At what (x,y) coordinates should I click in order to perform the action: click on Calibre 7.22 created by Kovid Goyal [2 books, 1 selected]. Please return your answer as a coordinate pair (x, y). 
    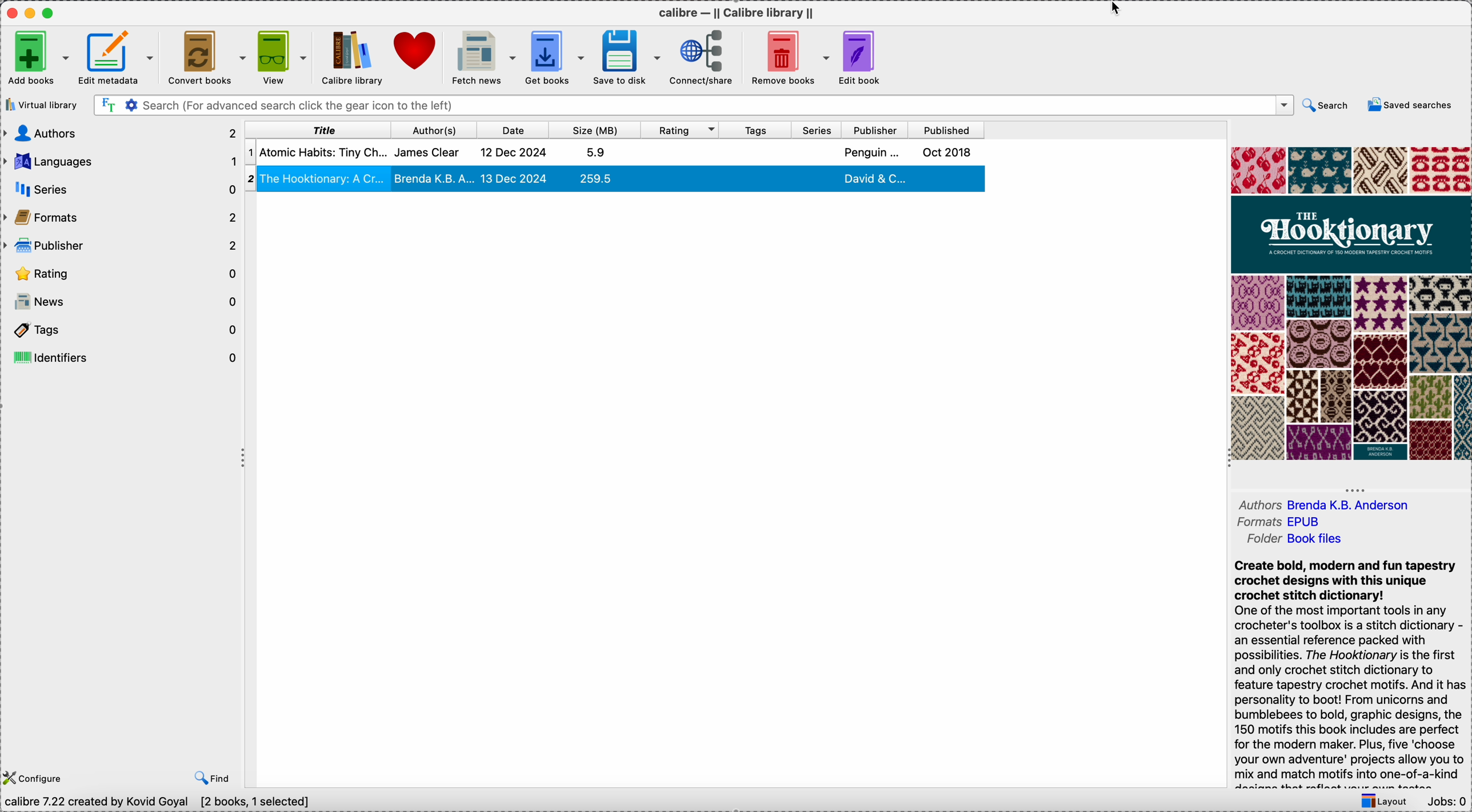
    Looking at the image, I should click on (158, 802).